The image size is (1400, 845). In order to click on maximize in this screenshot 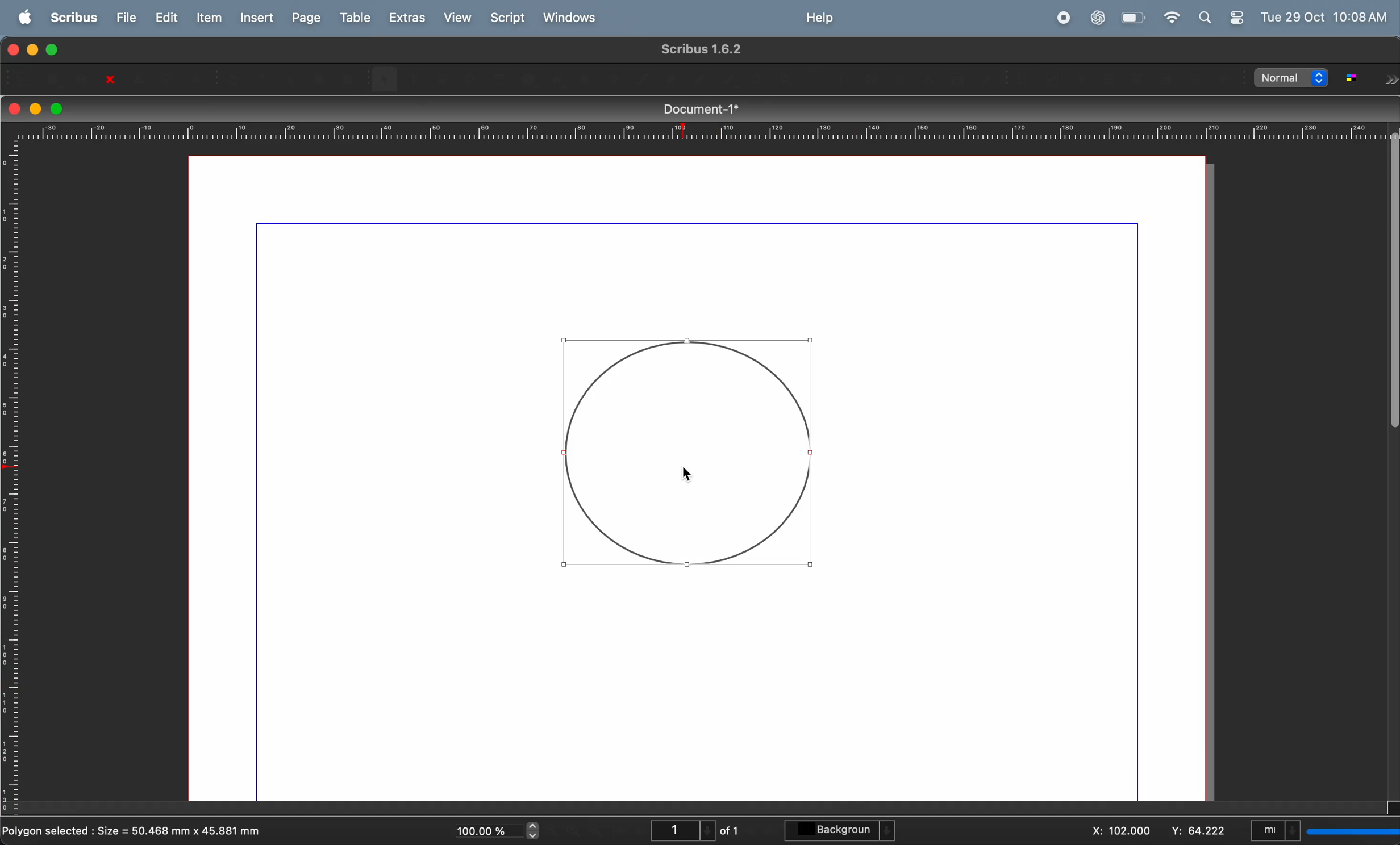, I will do `click(58, 108)`.